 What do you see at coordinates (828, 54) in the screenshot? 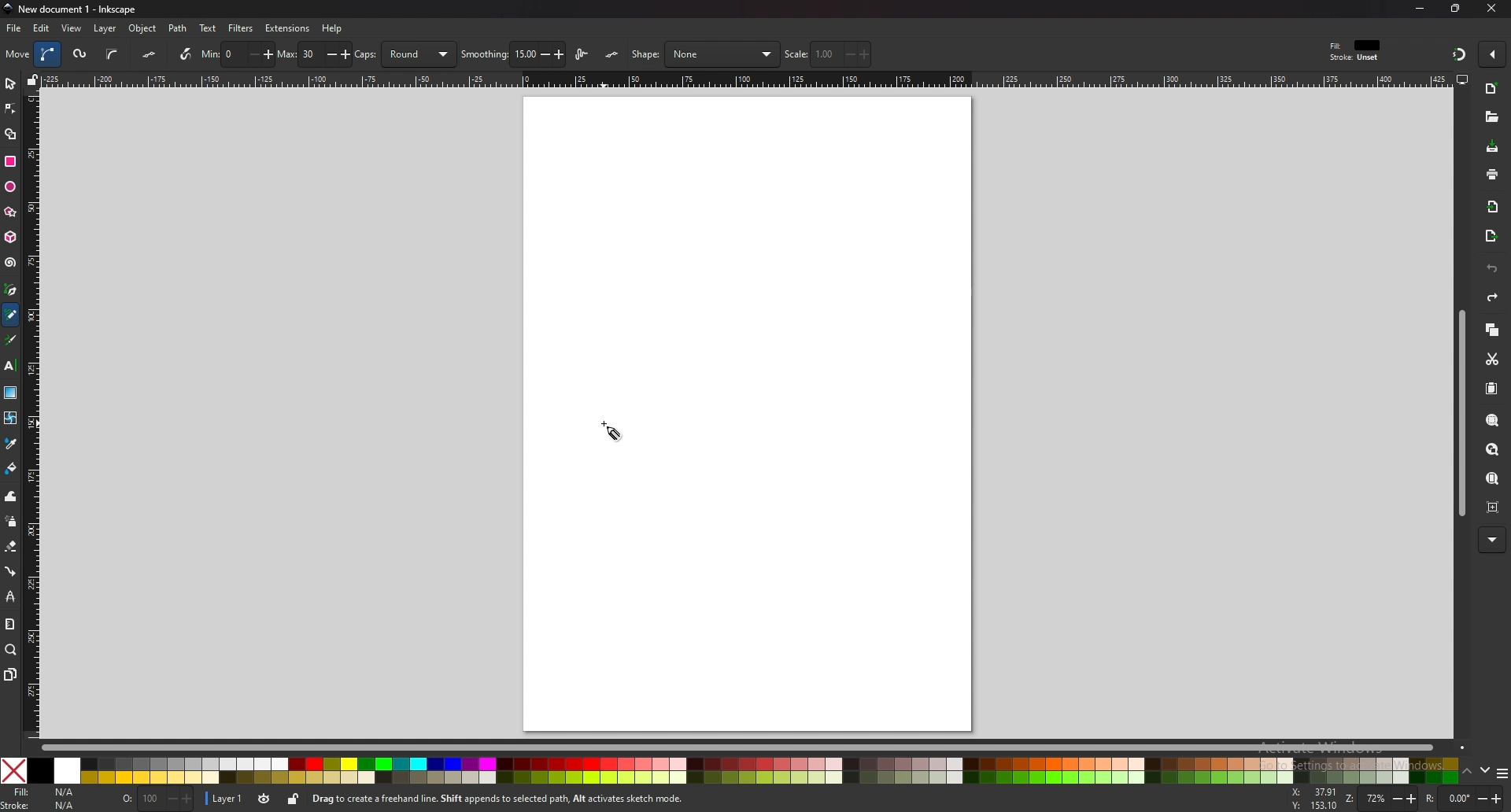
I see `scale` at bounding box center [828, 54].